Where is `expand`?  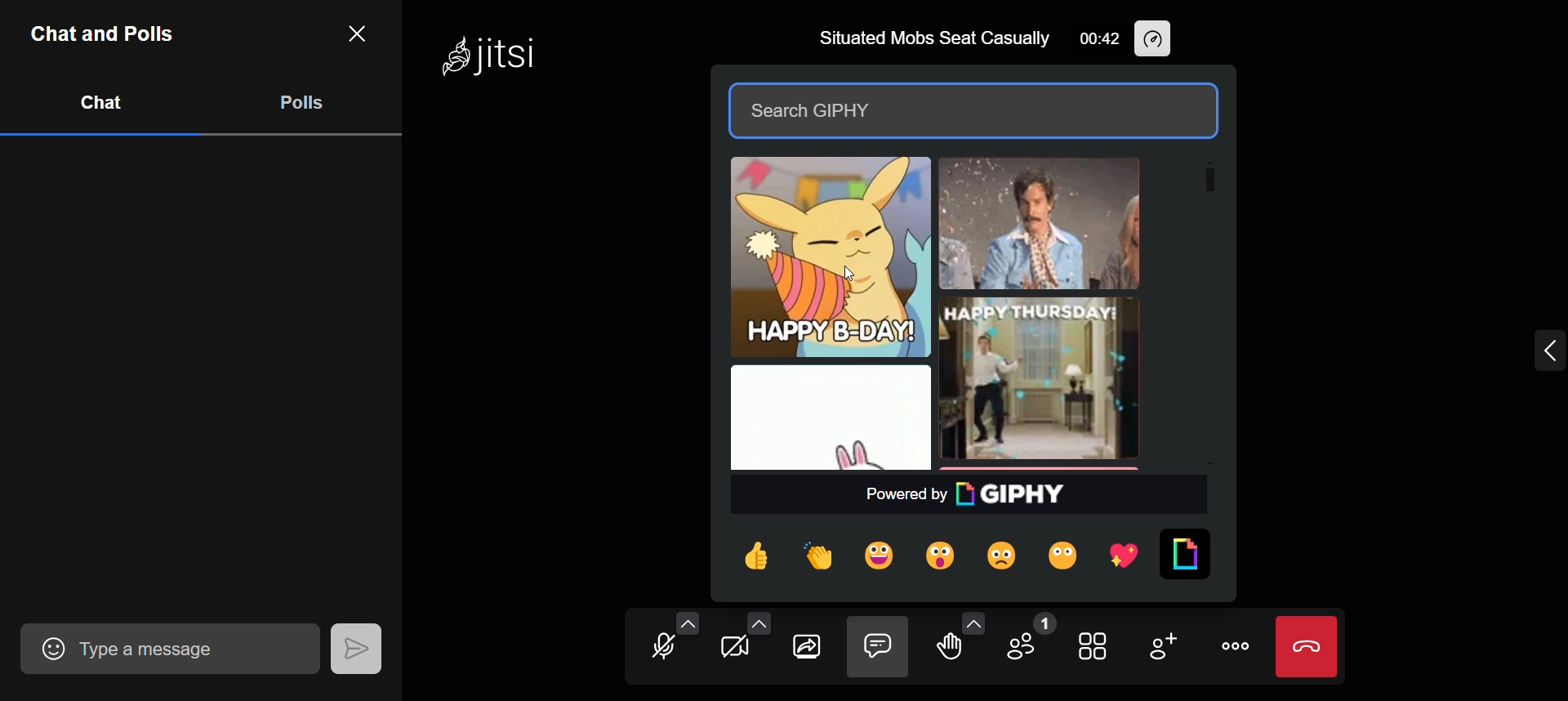
expand is located at coordinates (1530, 347).